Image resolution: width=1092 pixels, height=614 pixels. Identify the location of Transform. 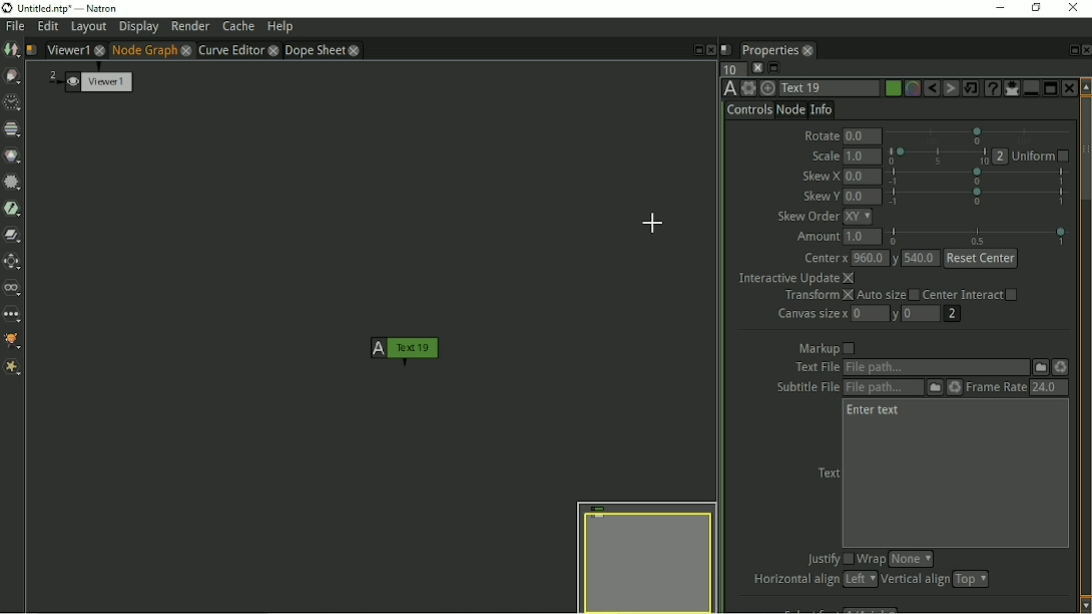
(816, 296).